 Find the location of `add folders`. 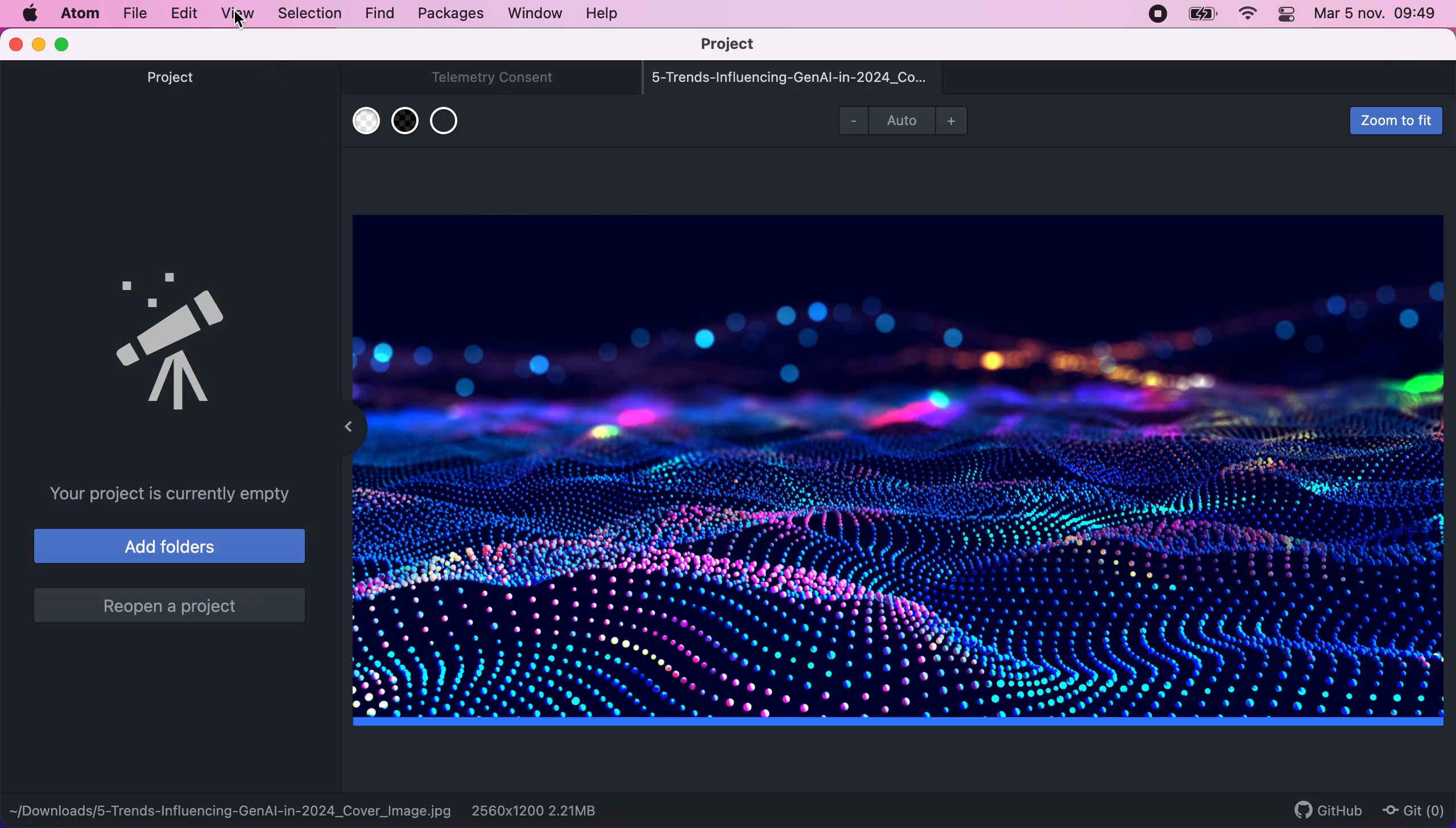

add folders is located at coordinates (177, 547).